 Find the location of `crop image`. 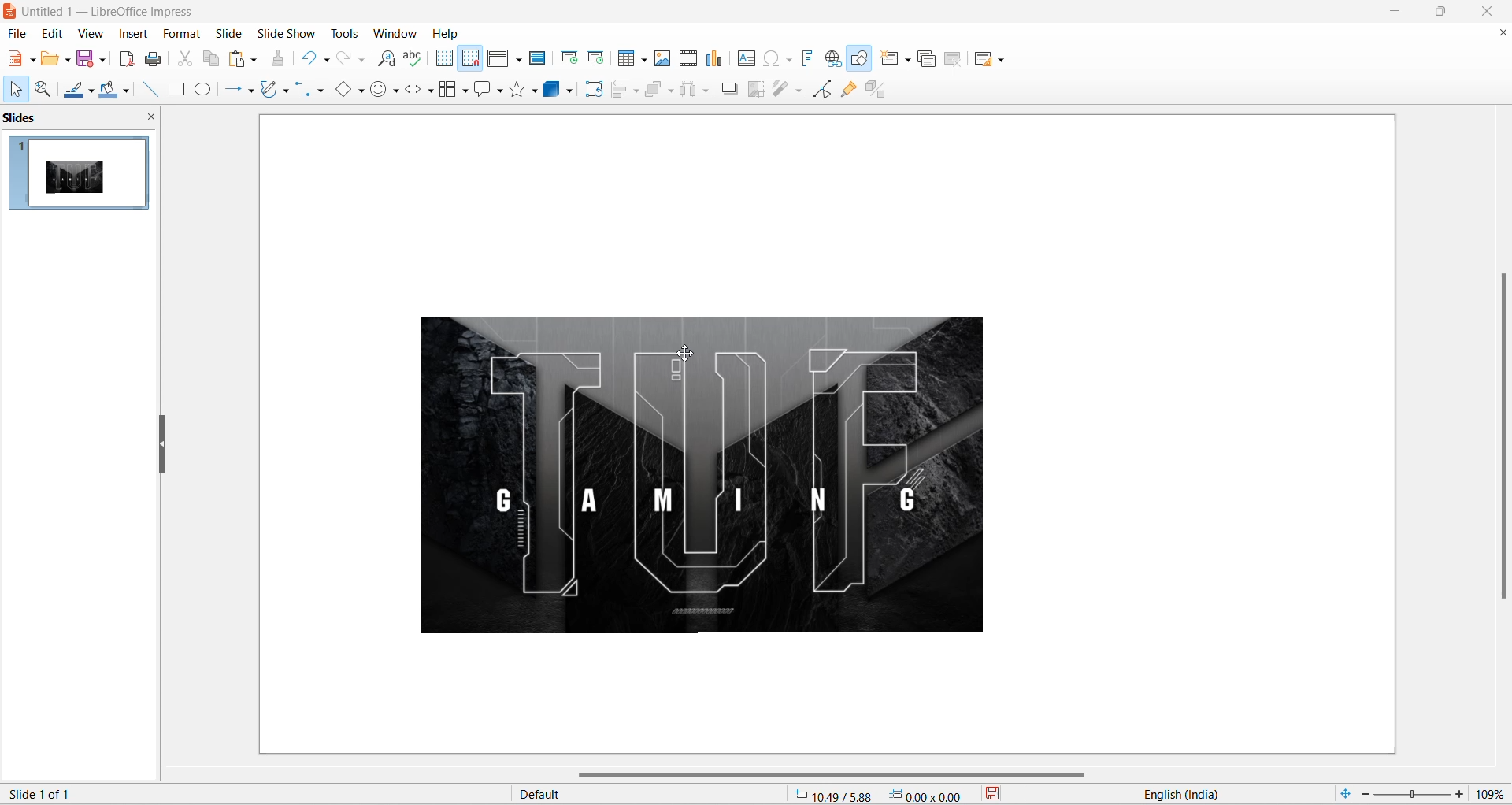

crop image is located at coordinates (754, 90).